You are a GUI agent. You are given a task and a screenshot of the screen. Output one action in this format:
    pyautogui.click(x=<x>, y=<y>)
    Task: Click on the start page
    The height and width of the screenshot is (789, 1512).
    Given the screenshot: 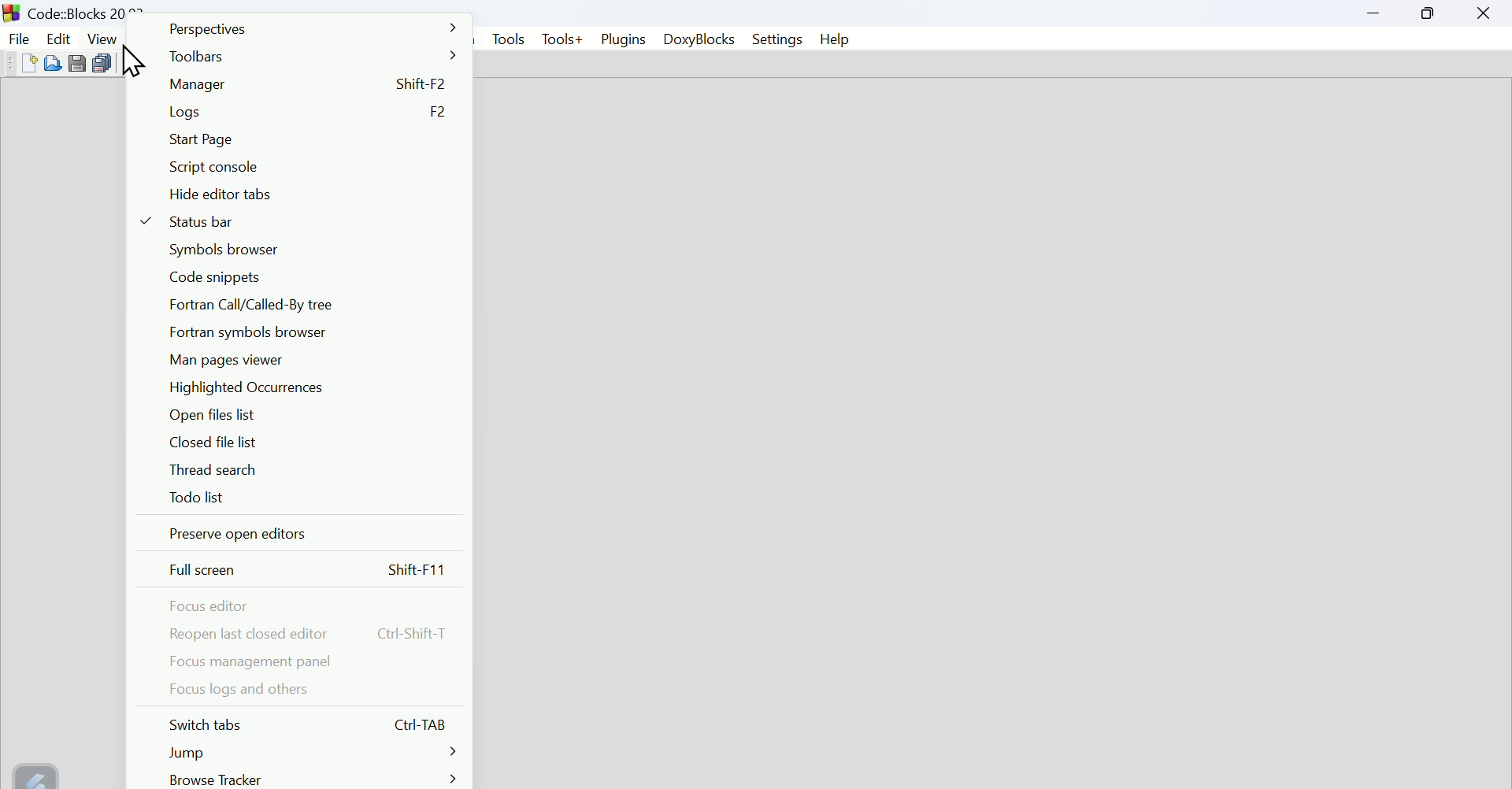 What is the action you would take?
    pyautogui.click(x=202, y=140)
    